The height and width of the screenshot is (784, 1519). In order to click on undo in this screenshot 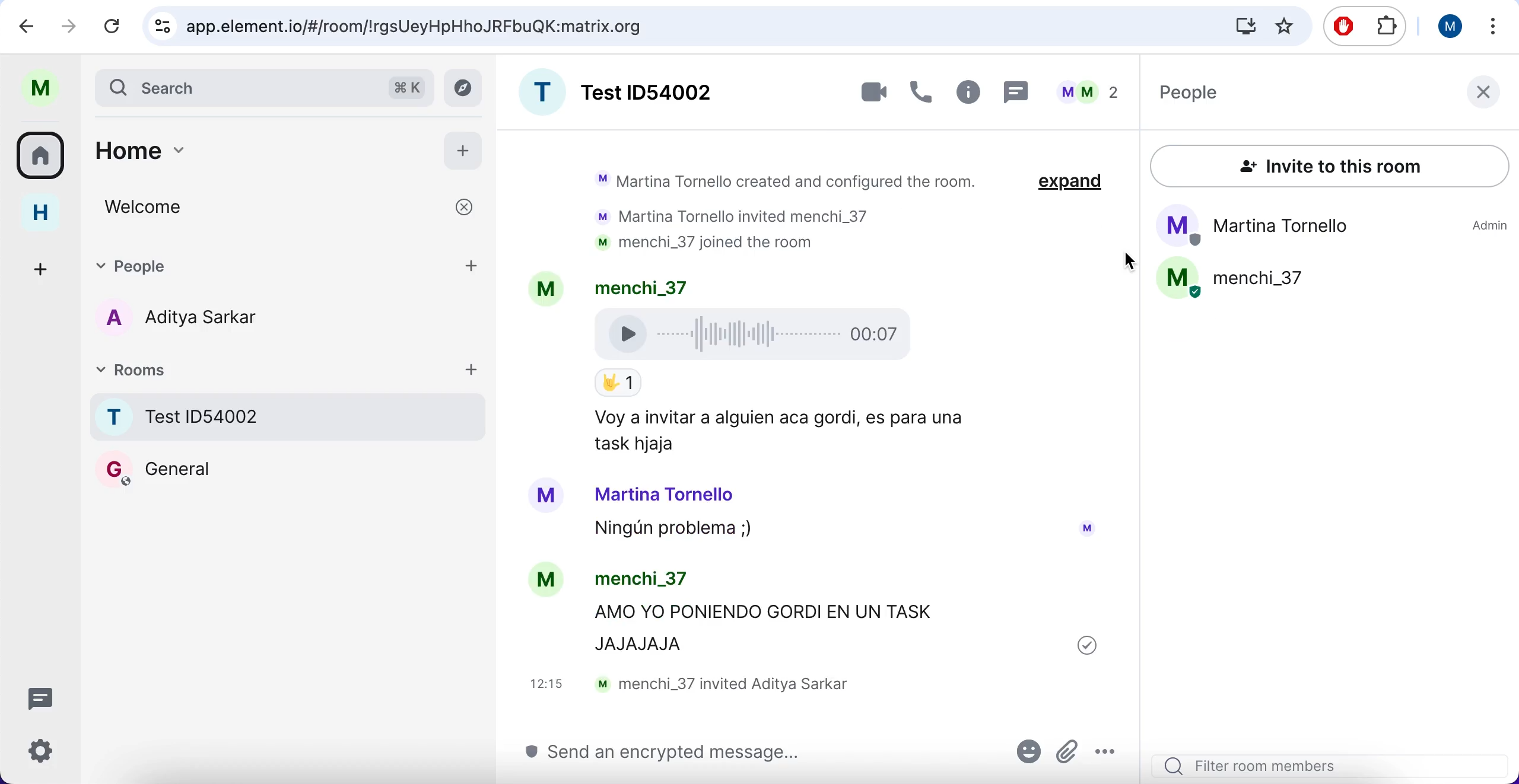, I will do `click(31, 28)`.